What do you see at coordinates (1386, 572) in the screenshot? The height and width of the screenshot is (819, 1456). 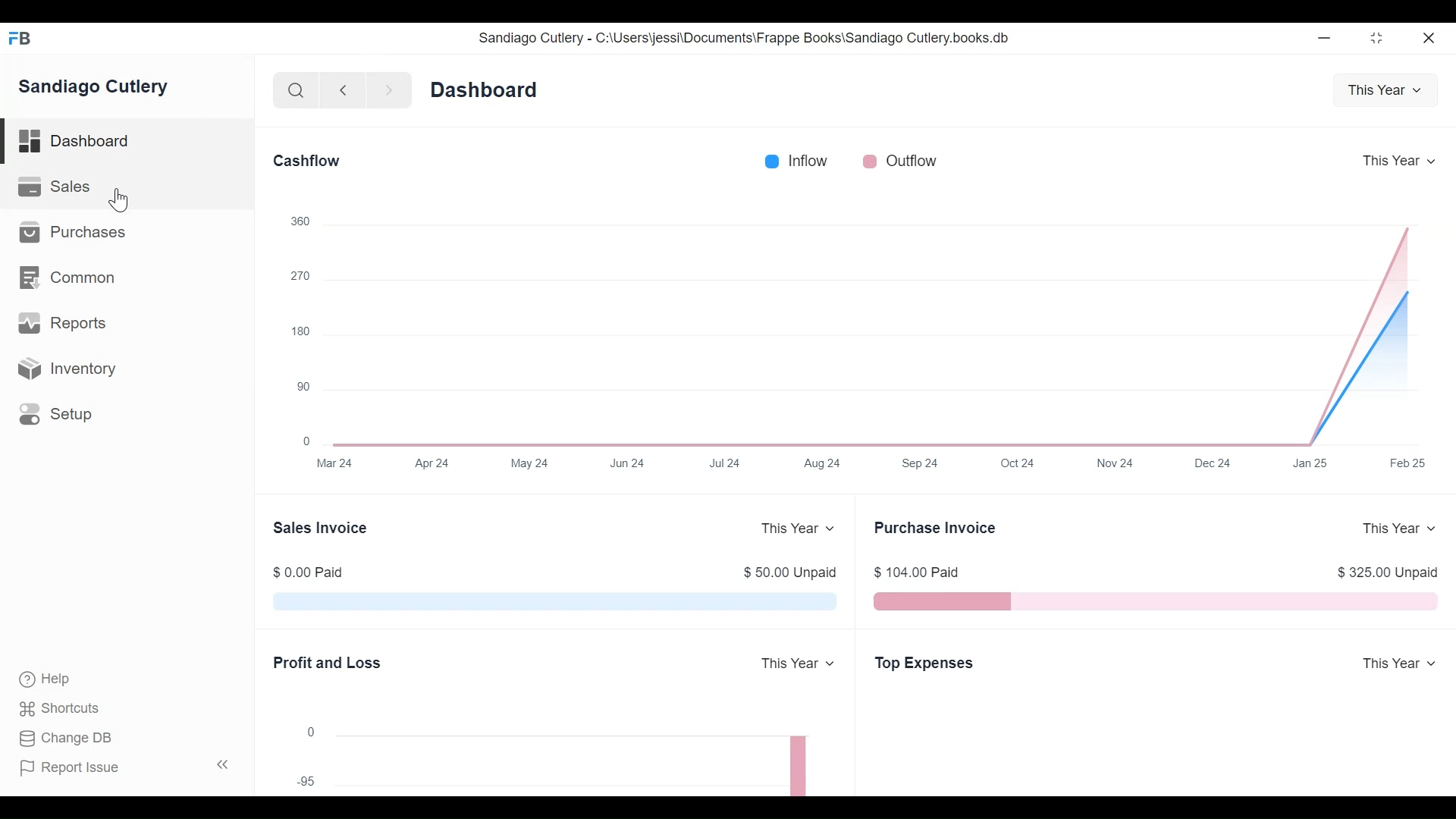 I see `$ 325.00 Unpaid` at bounding box center [1386, 572].